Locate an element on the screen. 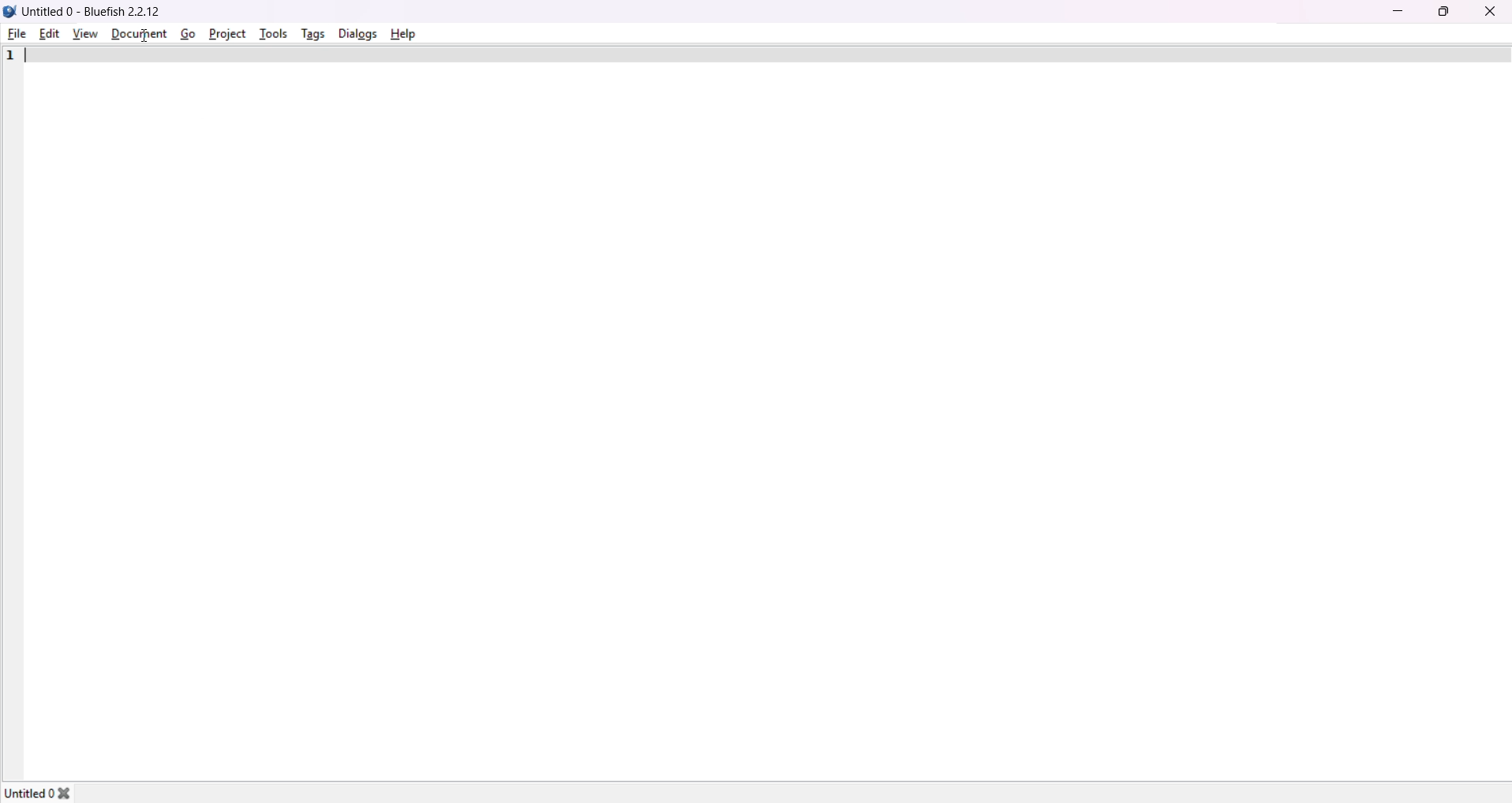 The width and height of the screenshot is (1512, 803). maximize is located at coordinates (1443, 10).